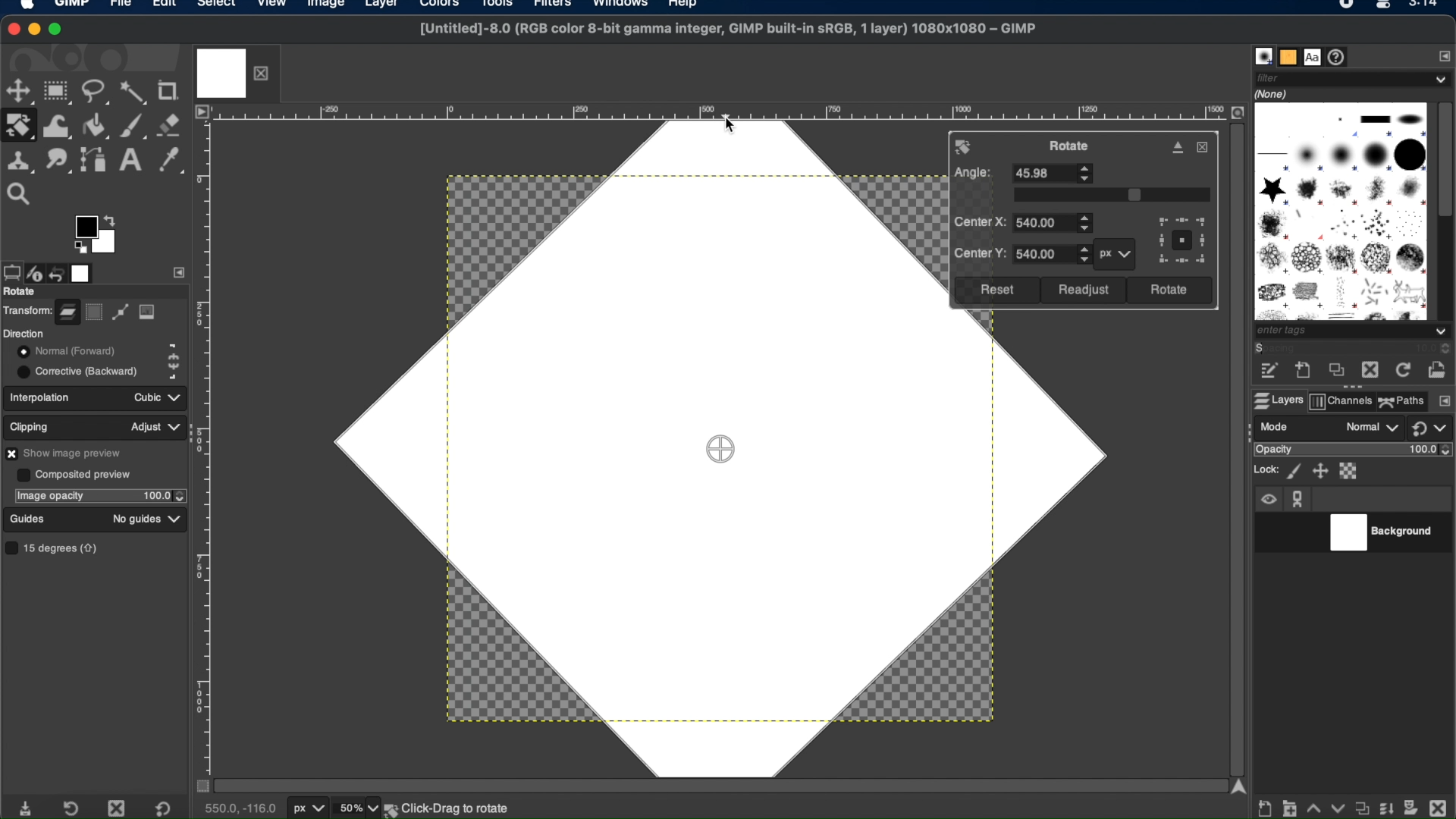 The height and width of the screenshot is (819, 1456). I want to click on scroll bar, so click(715, 784).